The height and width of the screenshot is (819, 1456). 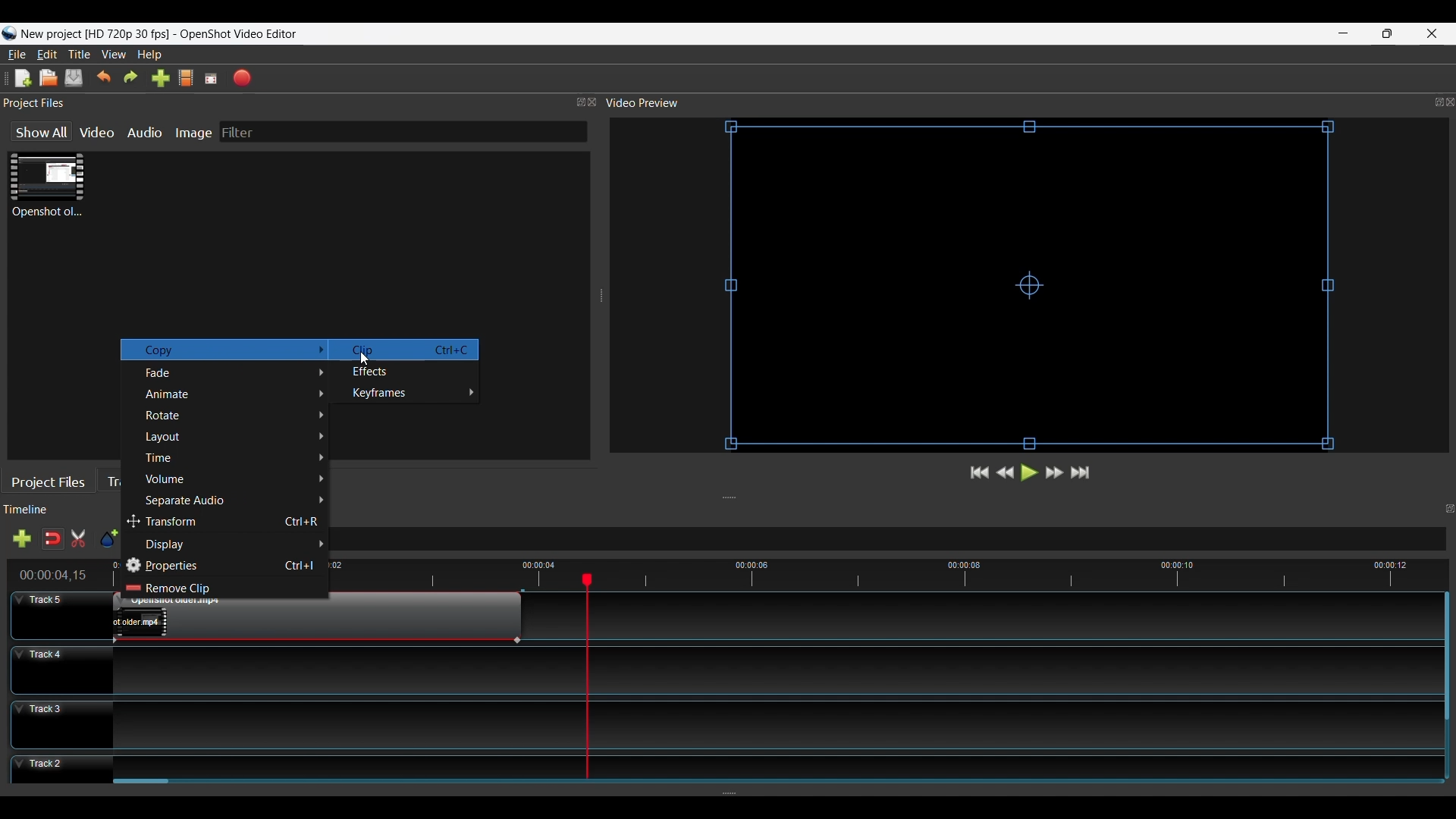 What do you see at coordinates (143, 783) in the screenshot?
I see `Vertical Scroll bar` at bounding box center [143, 783].